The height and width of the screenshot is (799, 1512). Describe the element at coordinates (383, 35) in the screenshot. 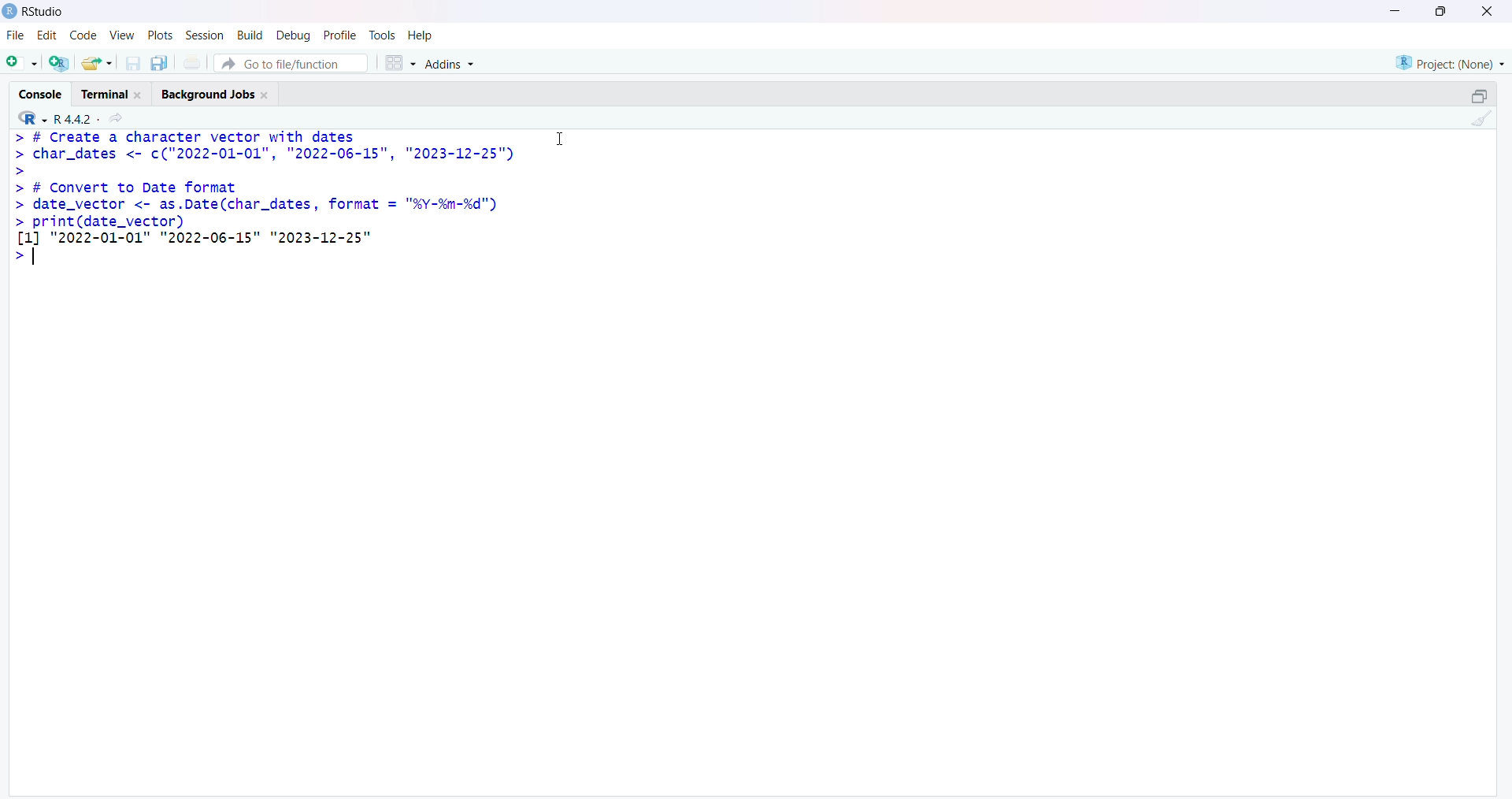

I see `Tools` at that location.